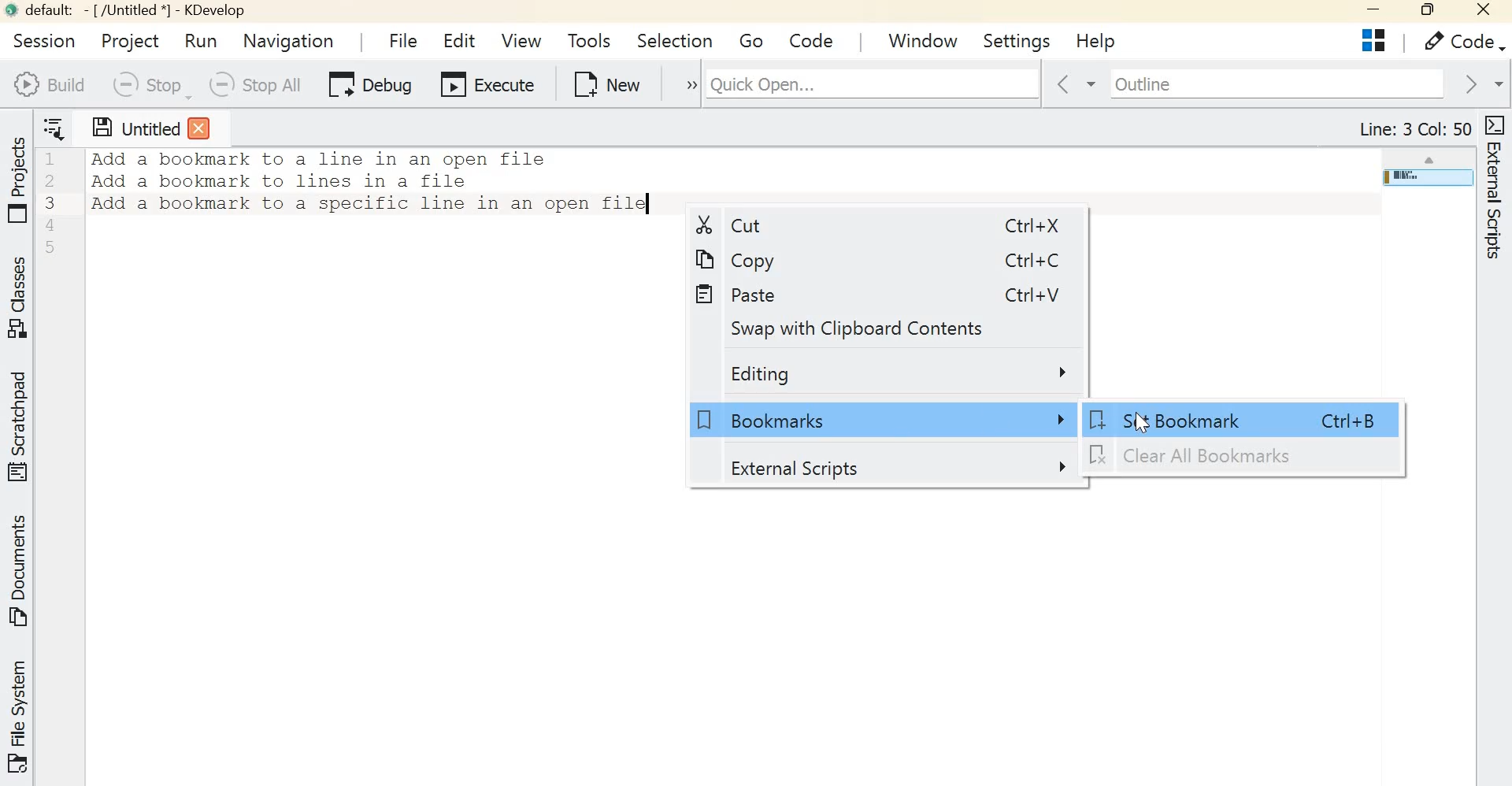 The image size is (1512, 786). What do you see at coordinates (1429, 180) in the screenshot?
I see `page overview` at bounding box center [1429, 180].